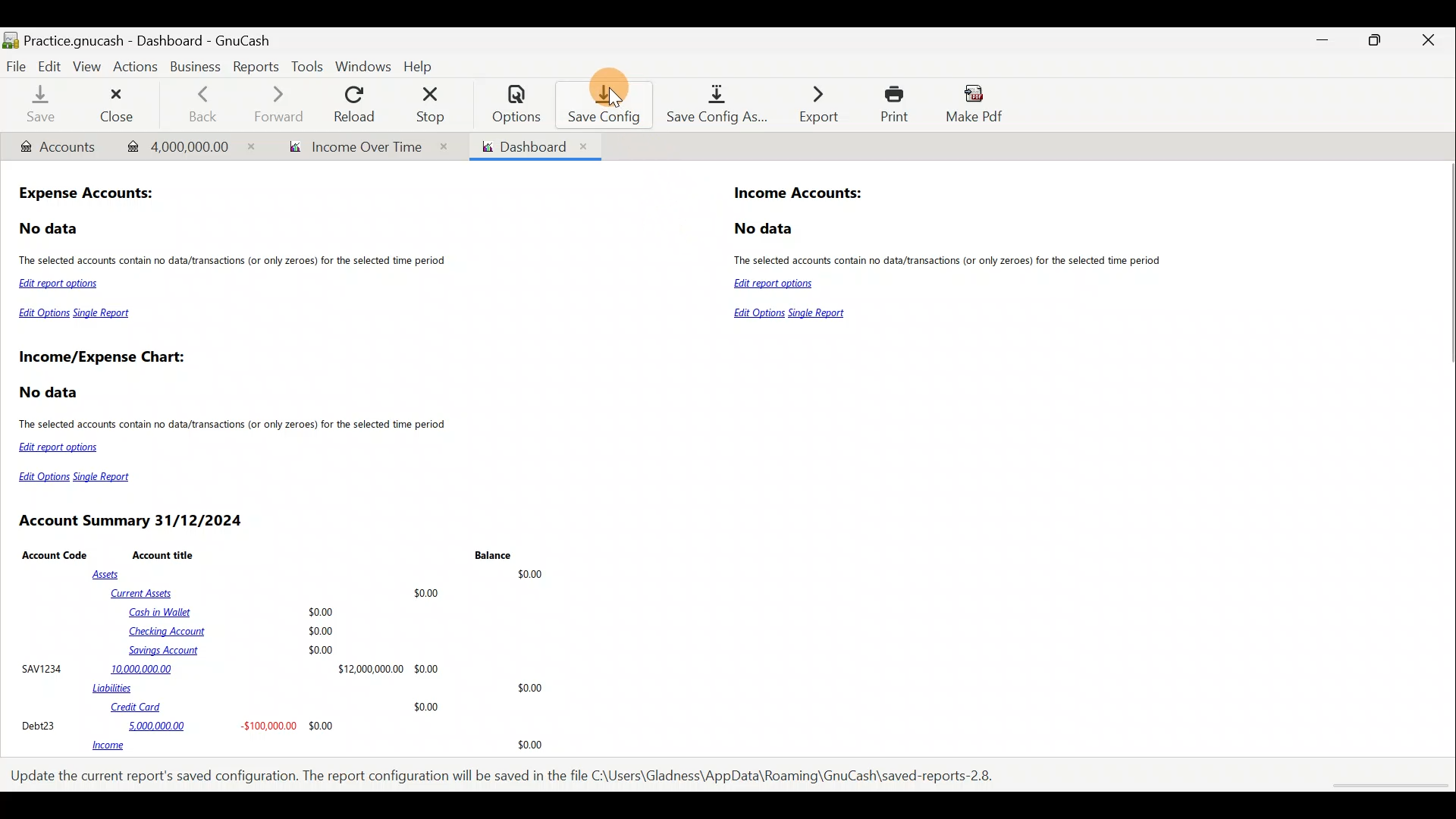 This screenshot has height=819, width=1456. What do you see at coordinates (794, 314) in the screenshot?
I see `Edit Options Single Report` at bounding box center [794, 314].